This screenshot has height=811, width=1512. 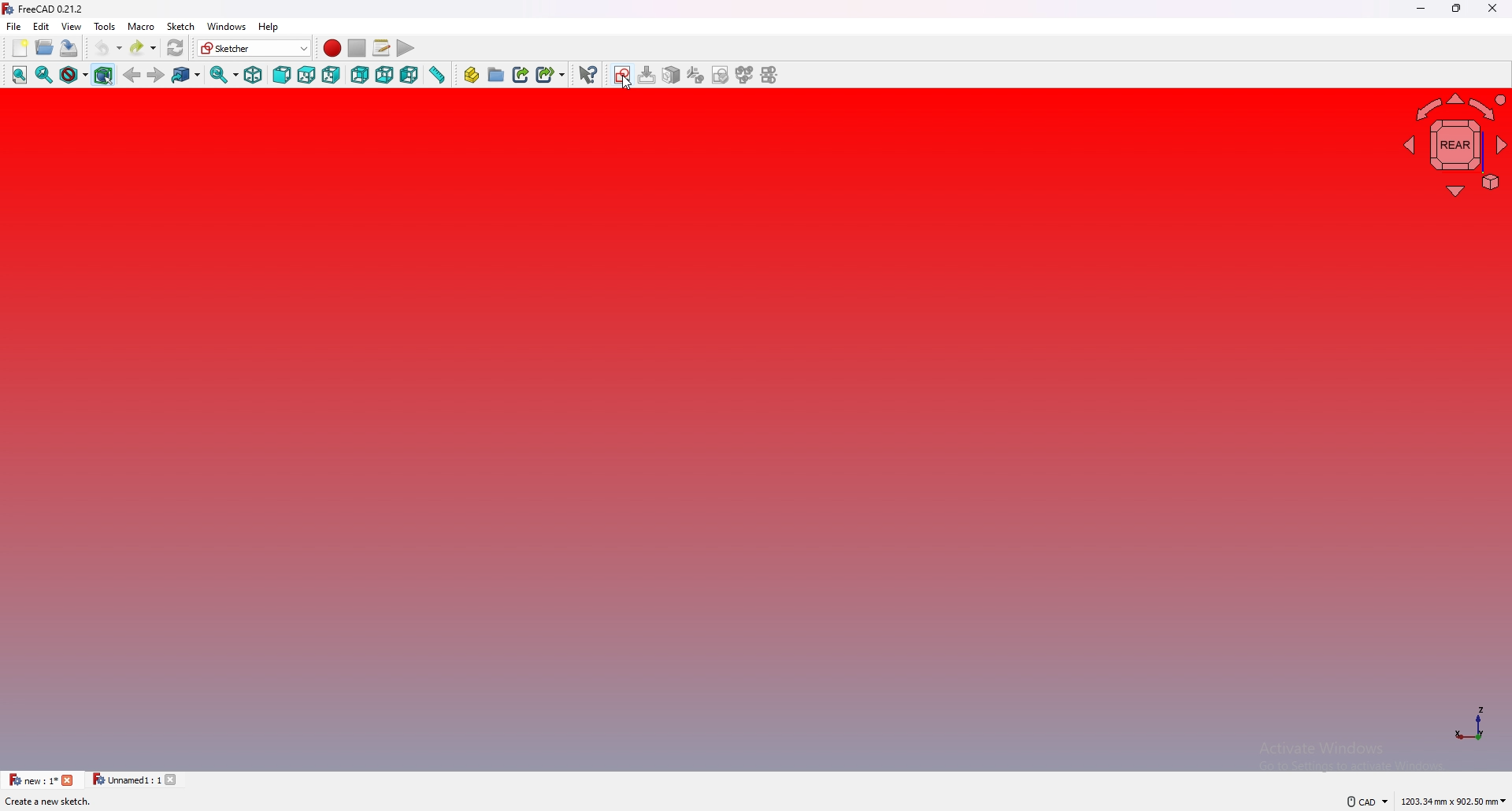 I want to click on file, so click(x=14, y=26).